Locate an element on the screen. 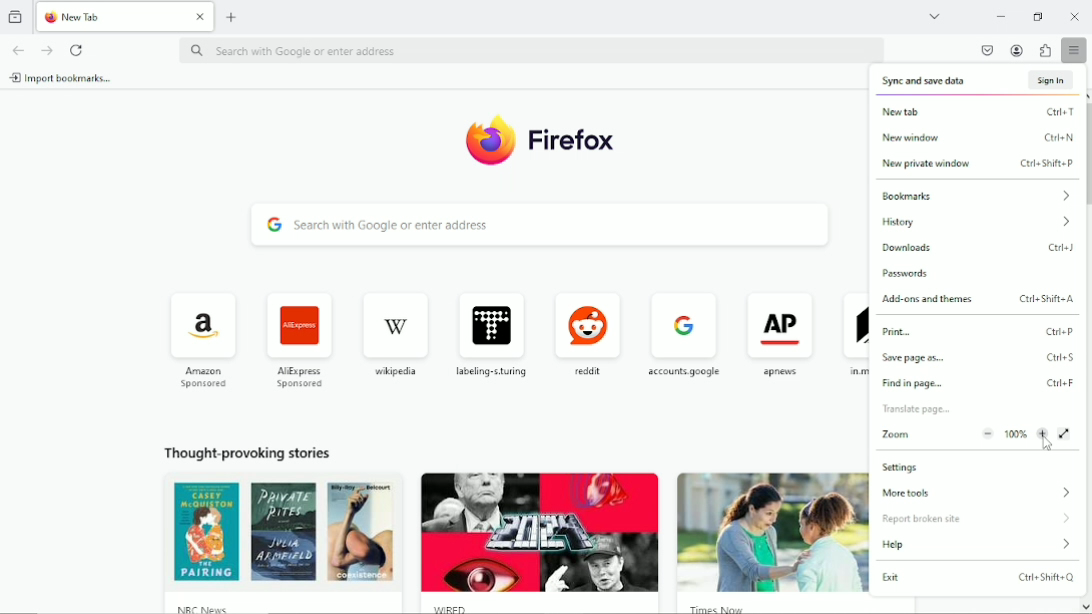 Image resolution: width=1092 pixels, height=614 pixels. Minimize is located at coordinates (1000, 16).